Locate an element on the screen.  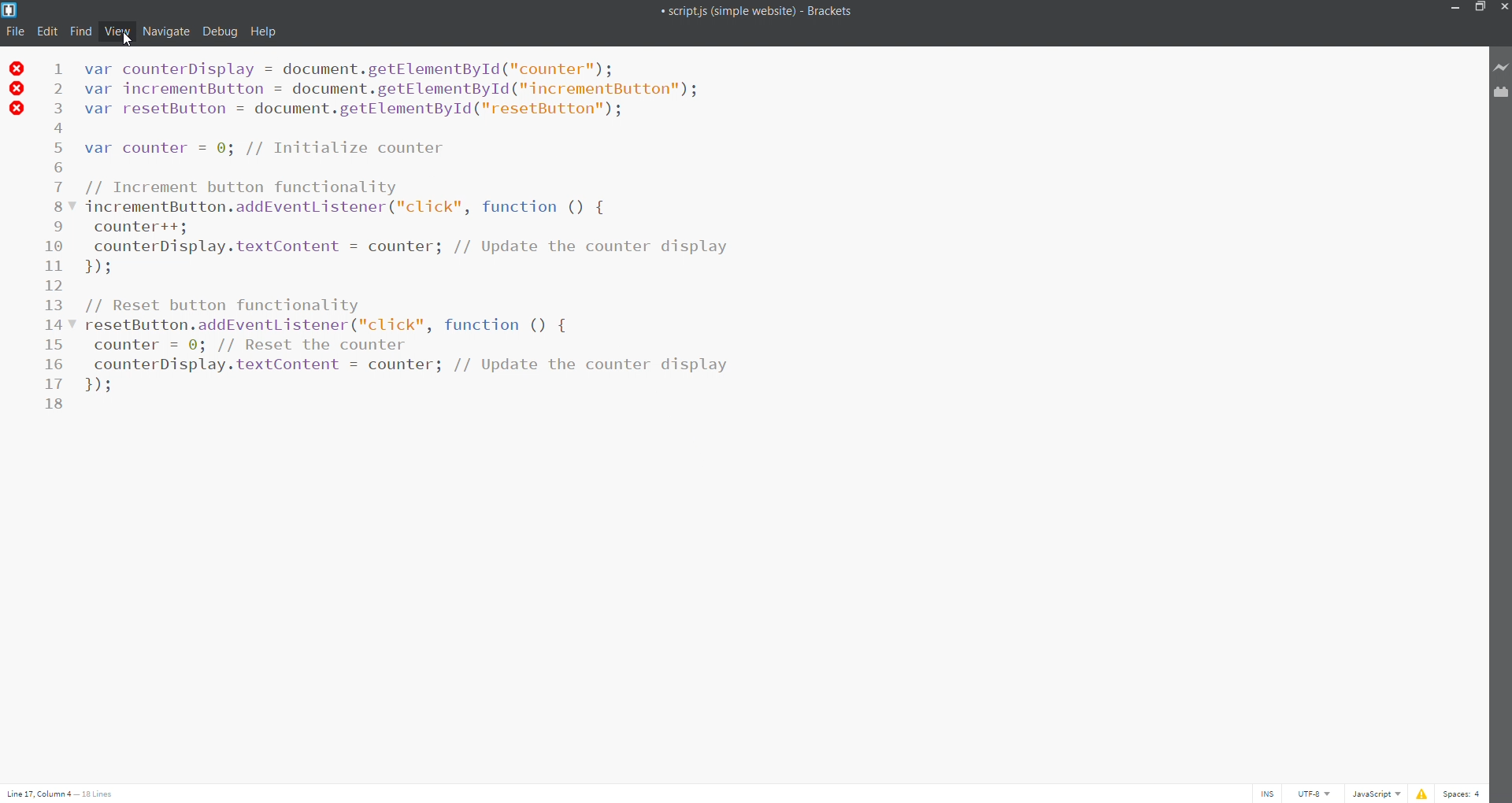
cursor is located at coordinates (129, 41).